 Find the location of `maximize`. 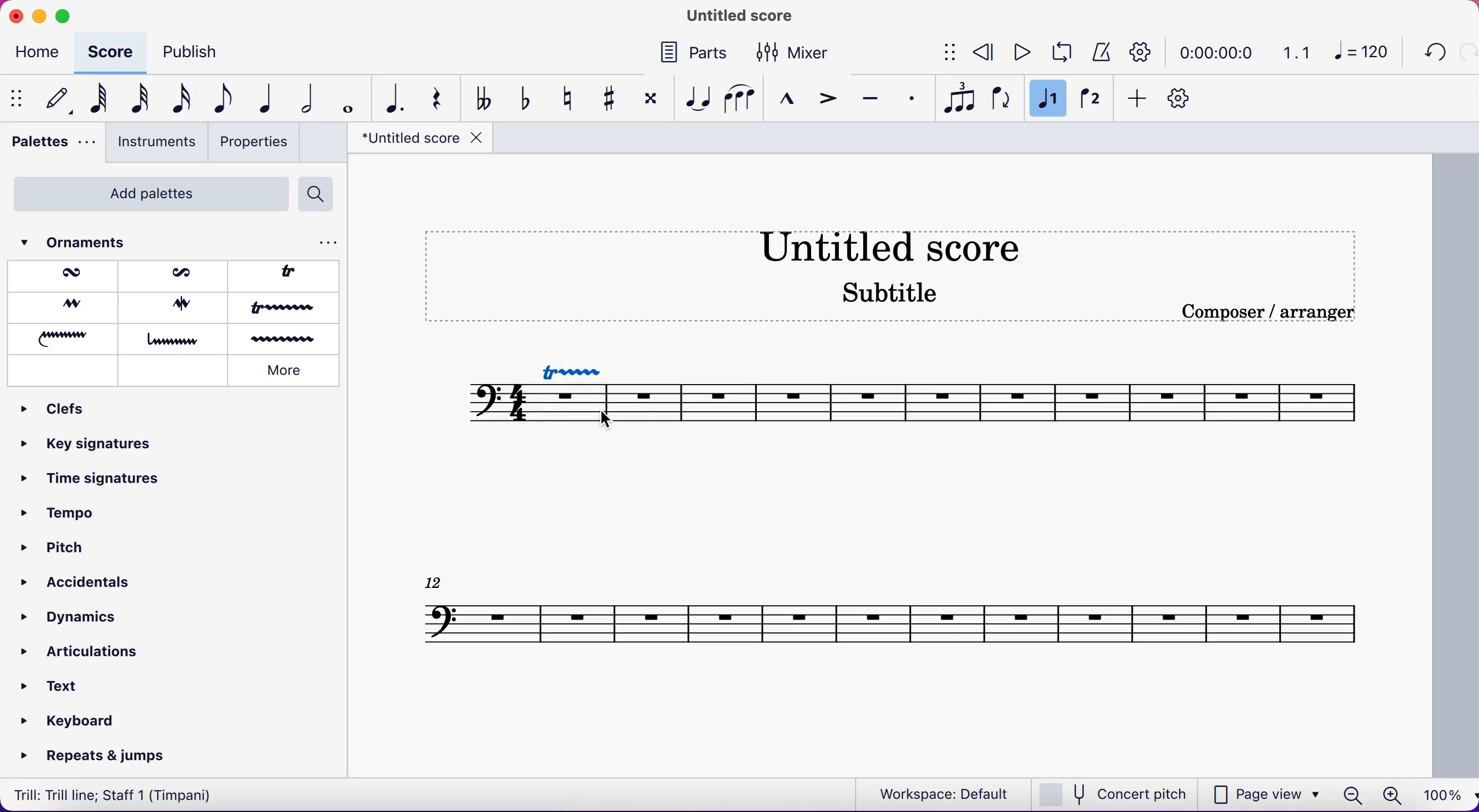

maximize is located at coordinates (64, 16).